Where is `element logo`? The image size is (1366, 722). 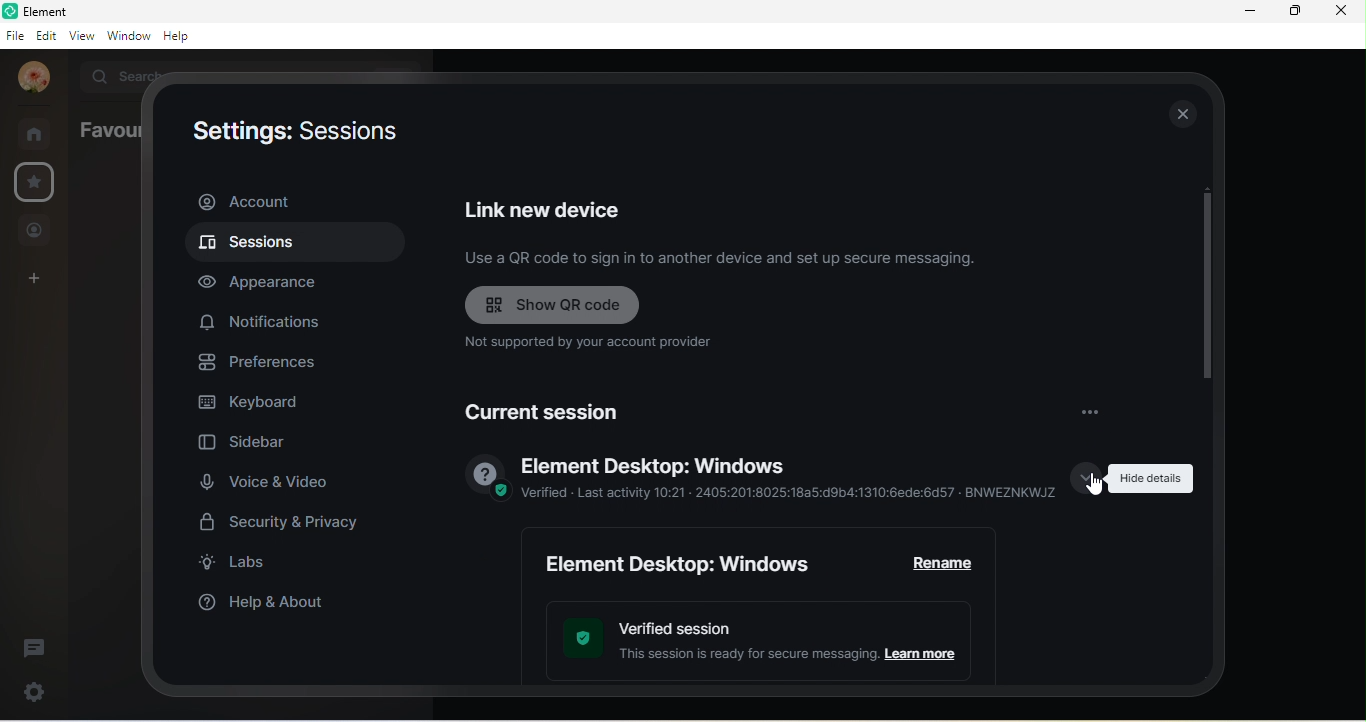 element logo is located at coordinates (10, 11).